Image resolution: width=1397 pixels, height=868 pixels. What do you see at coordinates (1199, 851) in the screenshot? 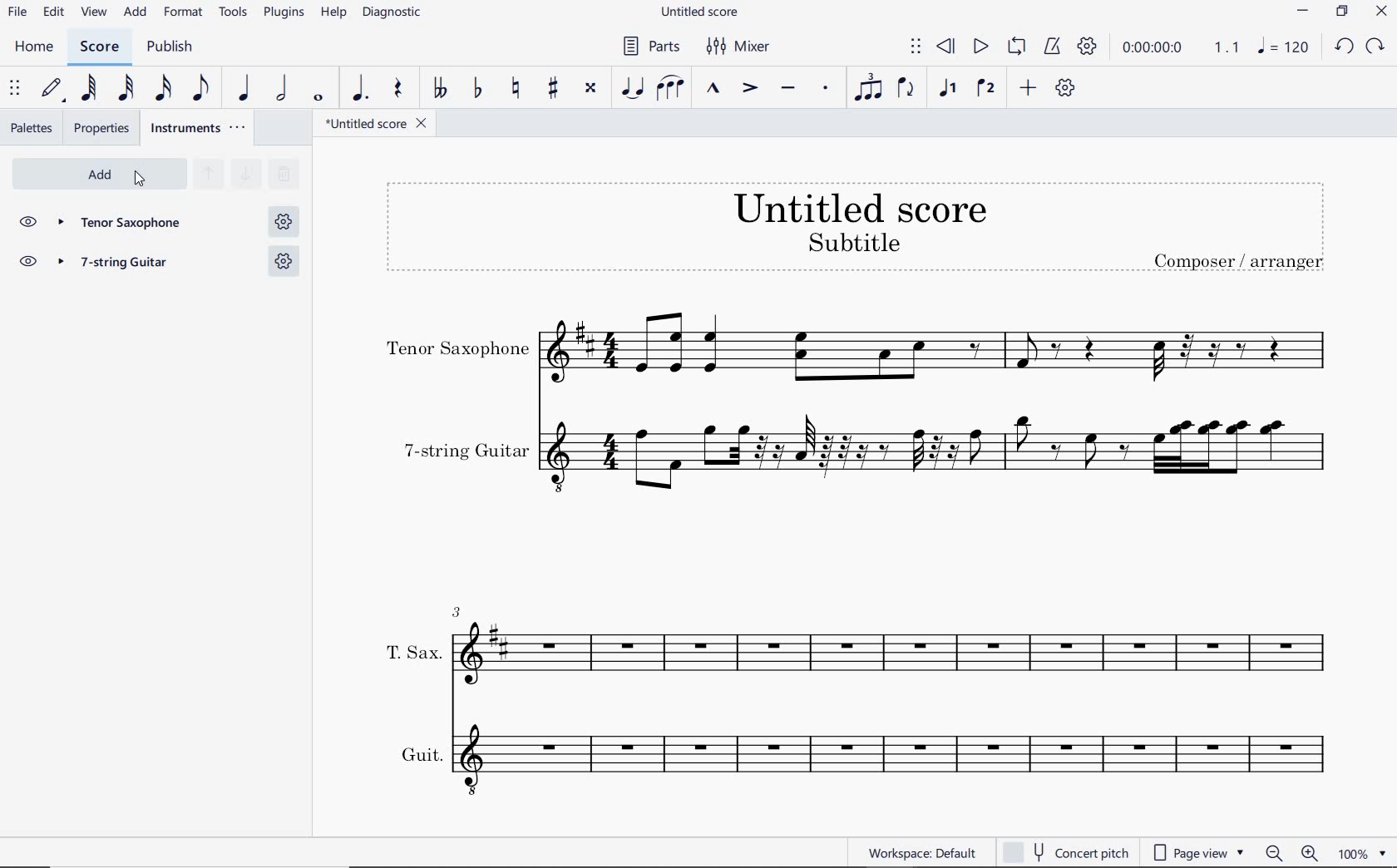
I see `PAGE VIEW` at bounding box center [1199, 851].